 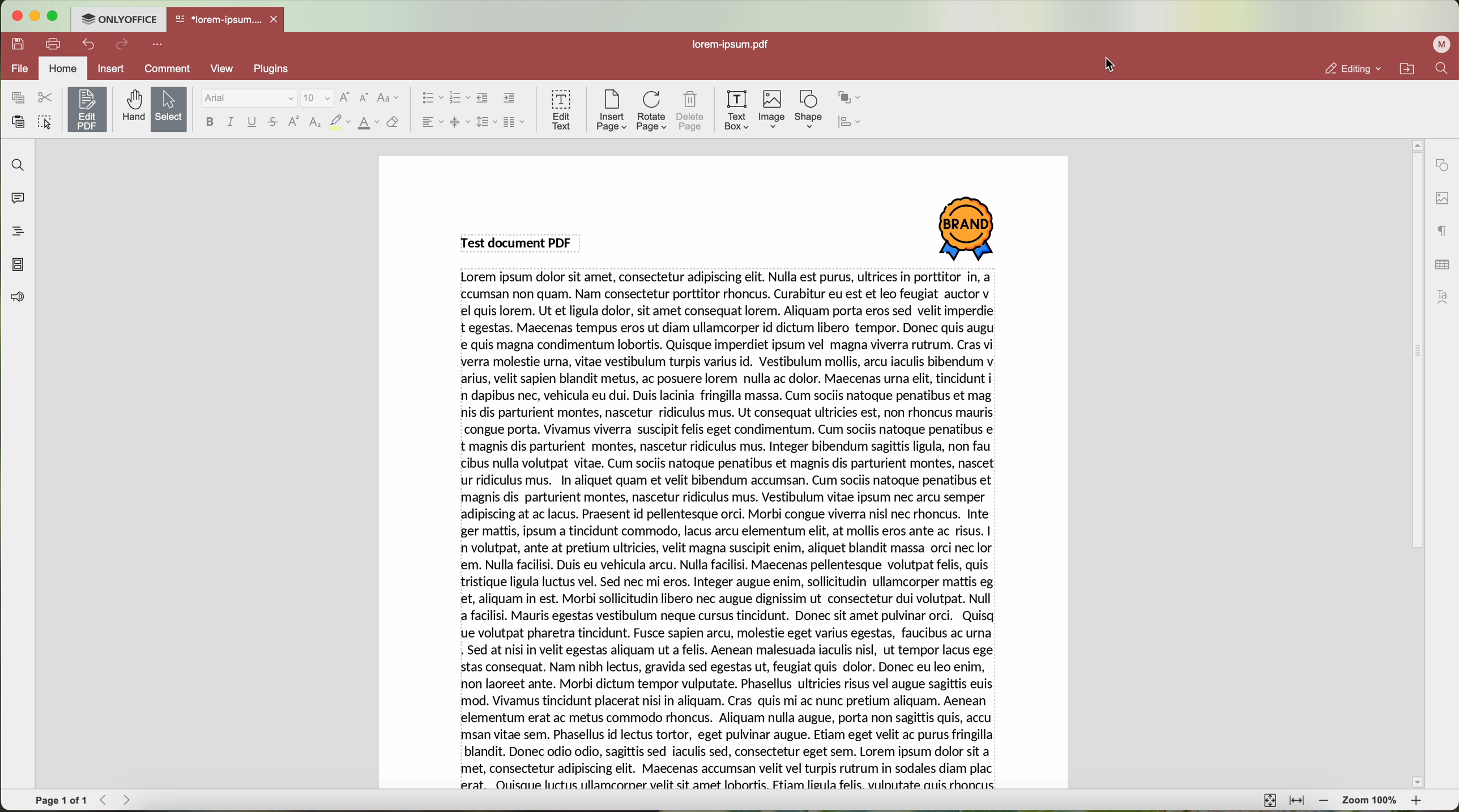 What do you see at coordinates (562, 109) in the screenshot?
I see `edit text` at bounding box center [562, 109].